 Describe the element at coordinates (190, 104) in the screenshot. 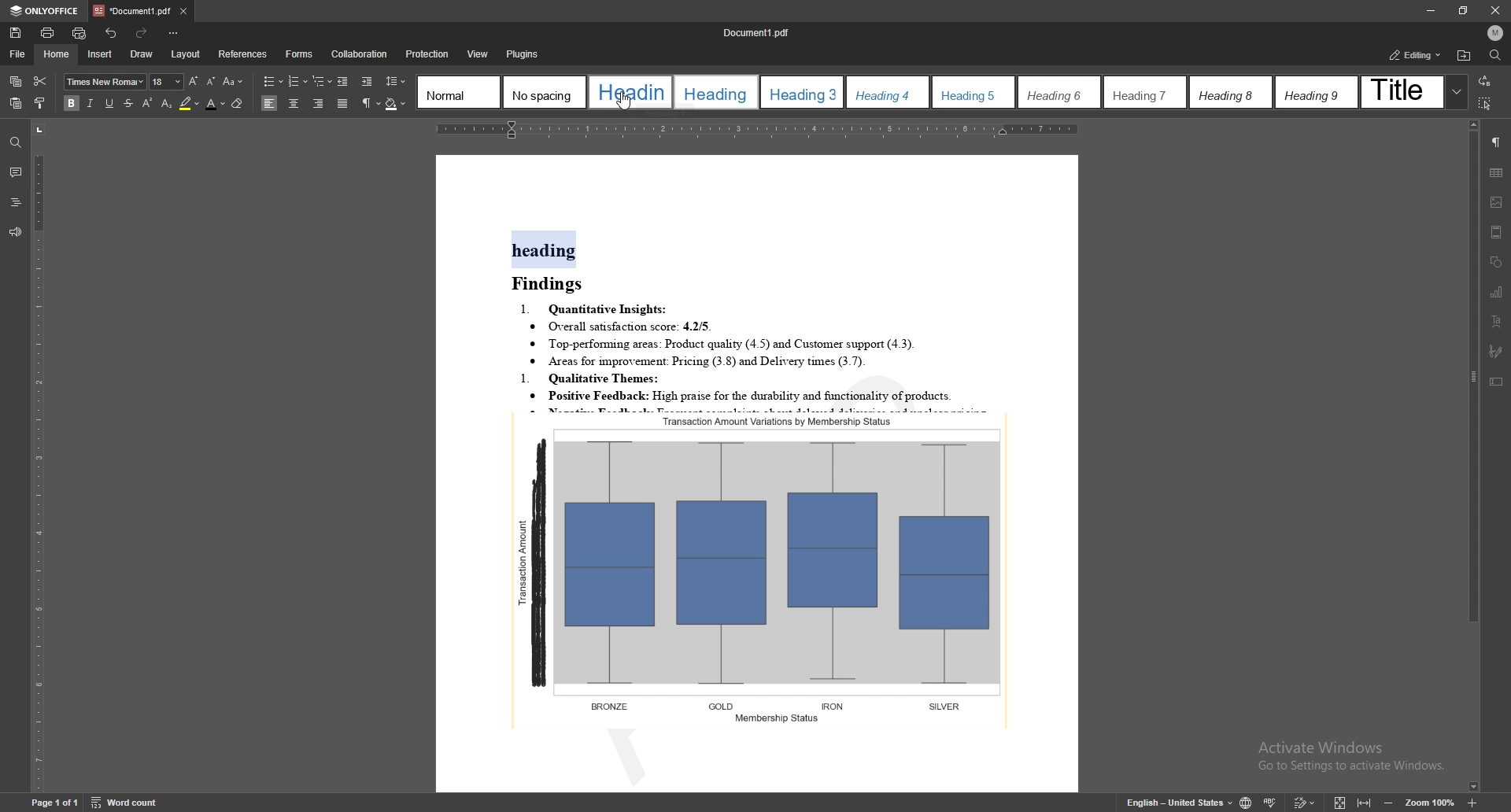

I see `highlight color` at that location.